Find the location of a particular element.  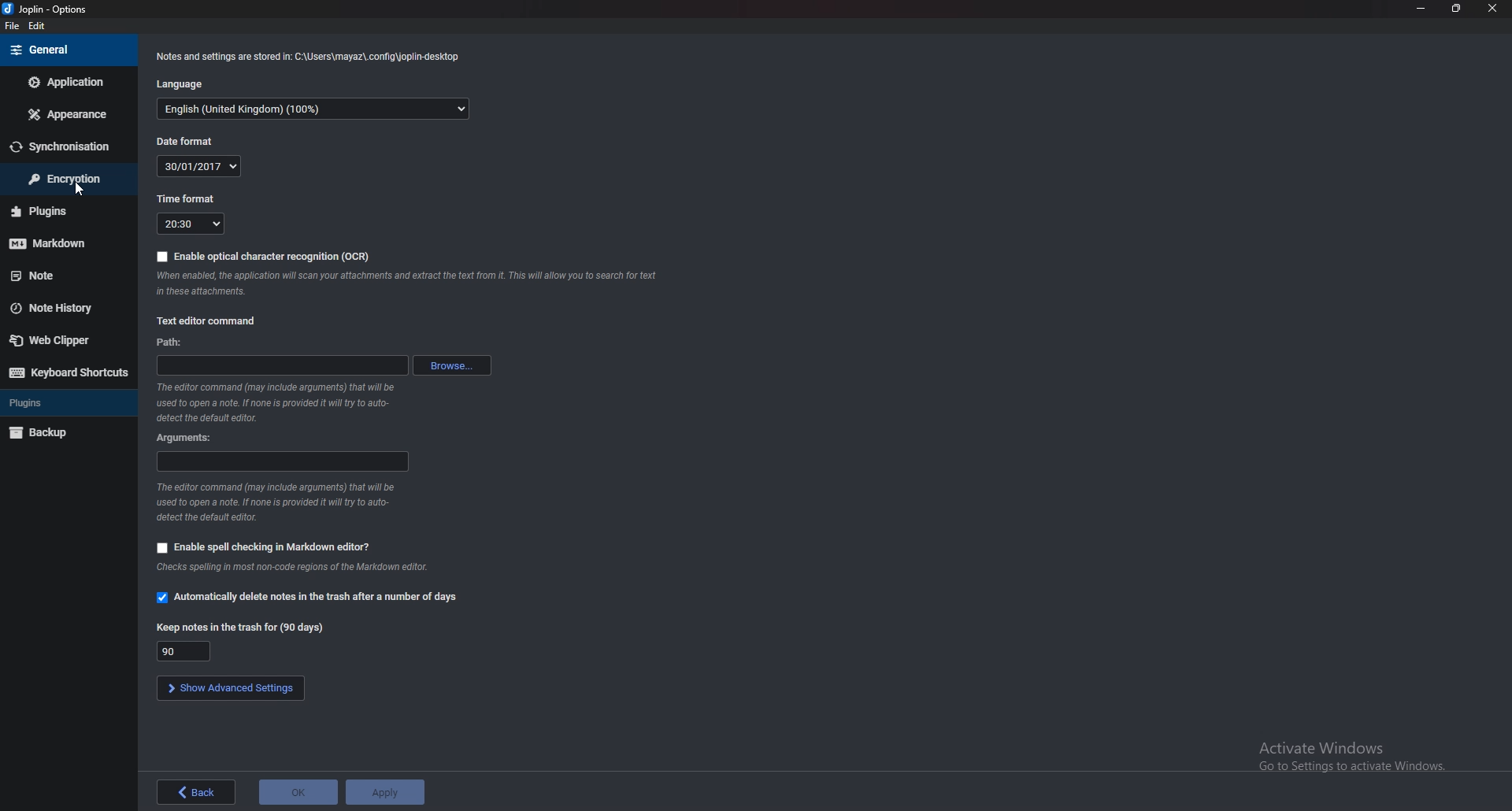

application is located at coordinates (64, 83).